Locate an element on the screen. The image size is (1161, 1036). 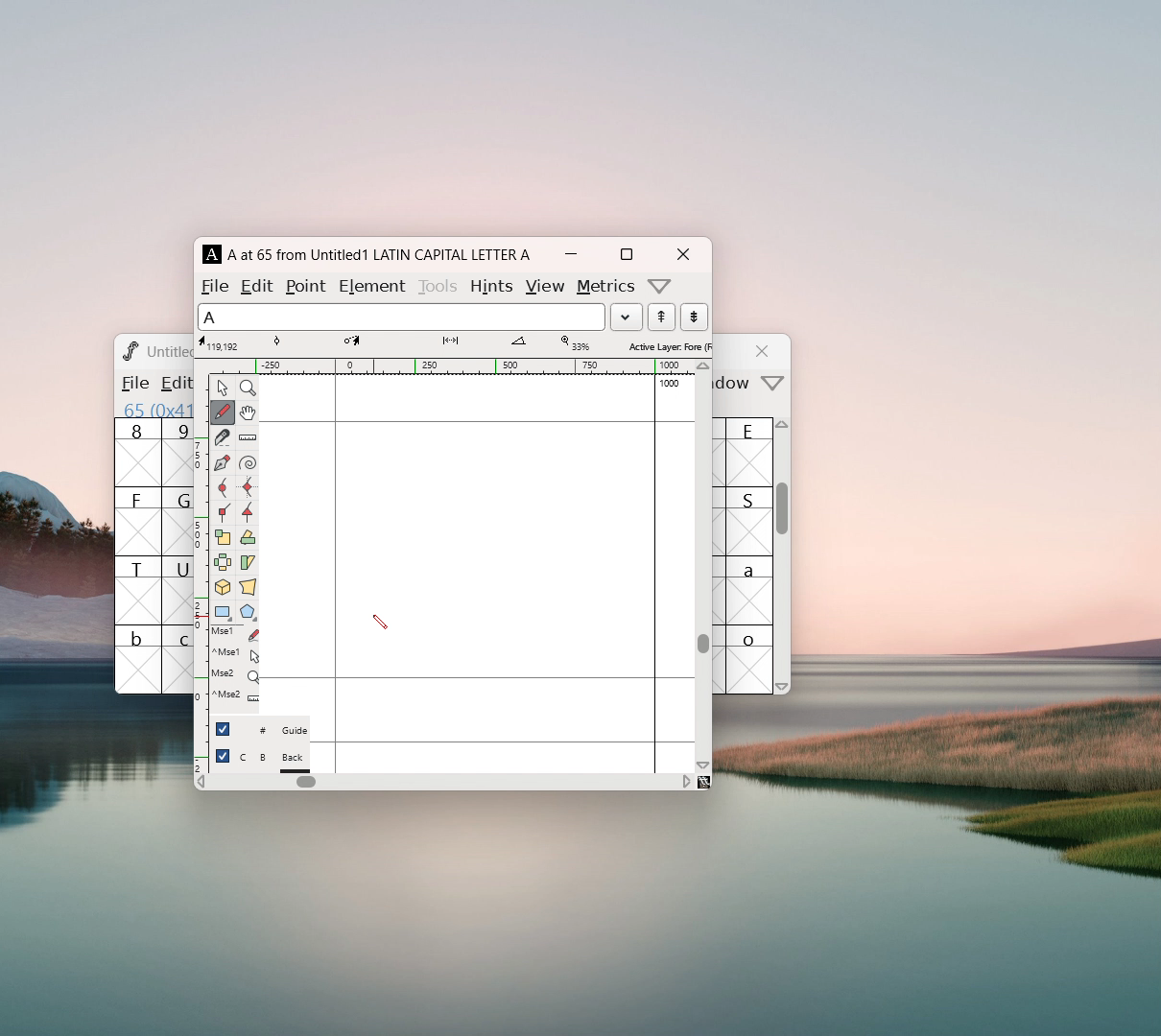
^Mse2 is located at coordinates (236, 653).